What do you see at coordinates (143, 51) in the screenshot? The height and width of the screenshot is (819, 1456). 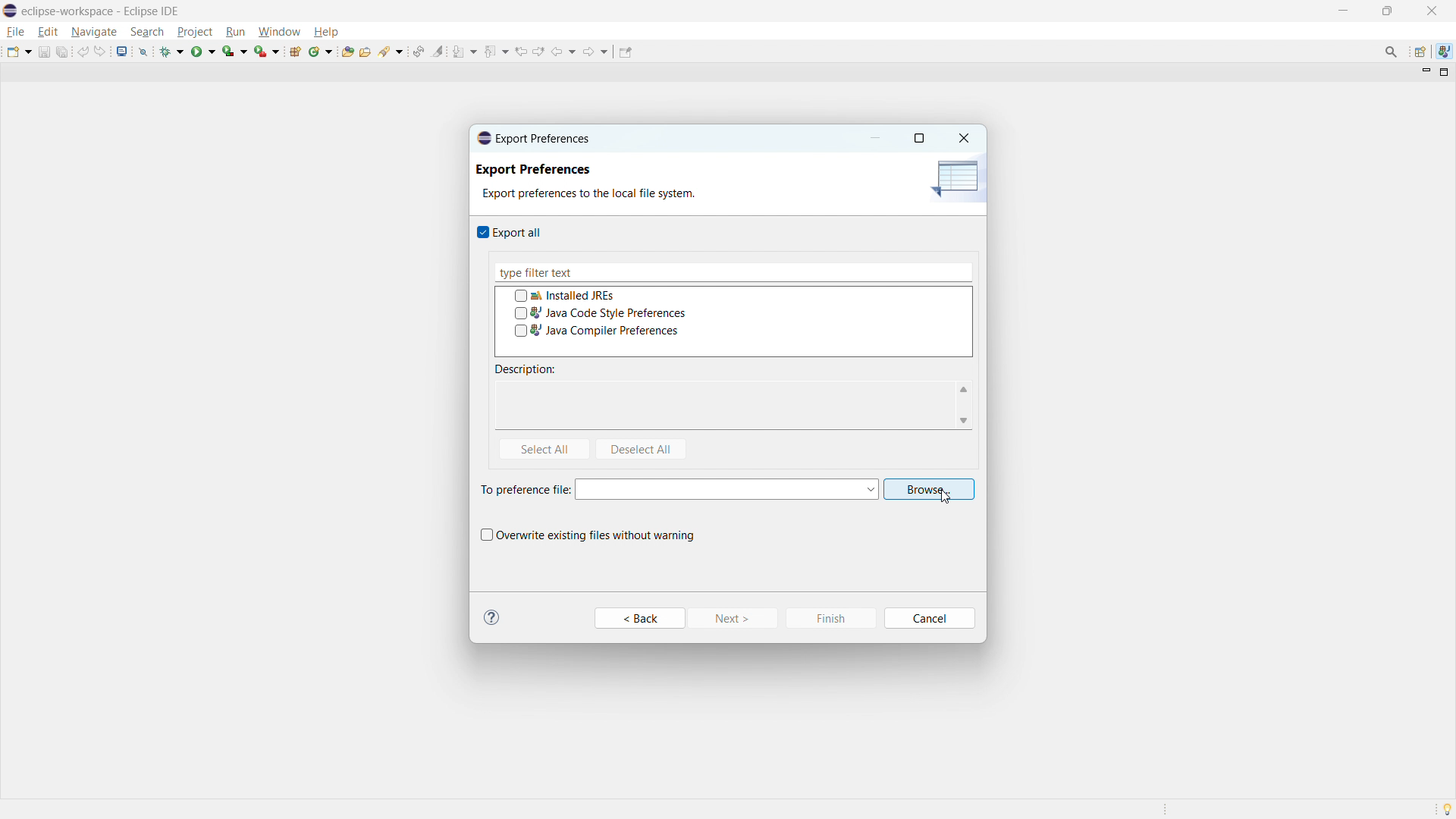 I see `skip all breakpoints` at bounding box center [143, 51].